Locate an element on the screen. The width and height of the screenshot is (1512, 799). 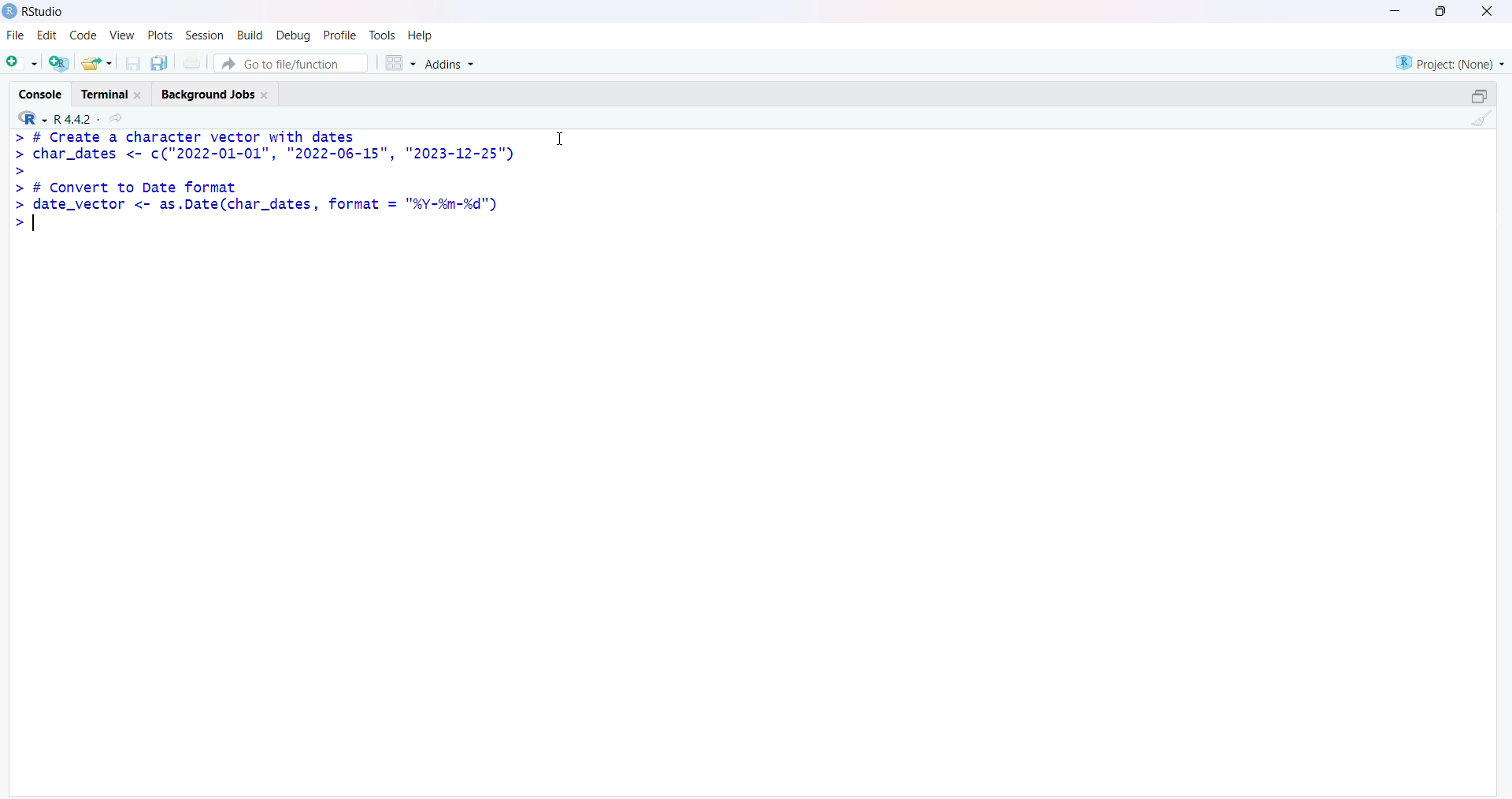
Workspace panes is located at coordinates (400, 61).